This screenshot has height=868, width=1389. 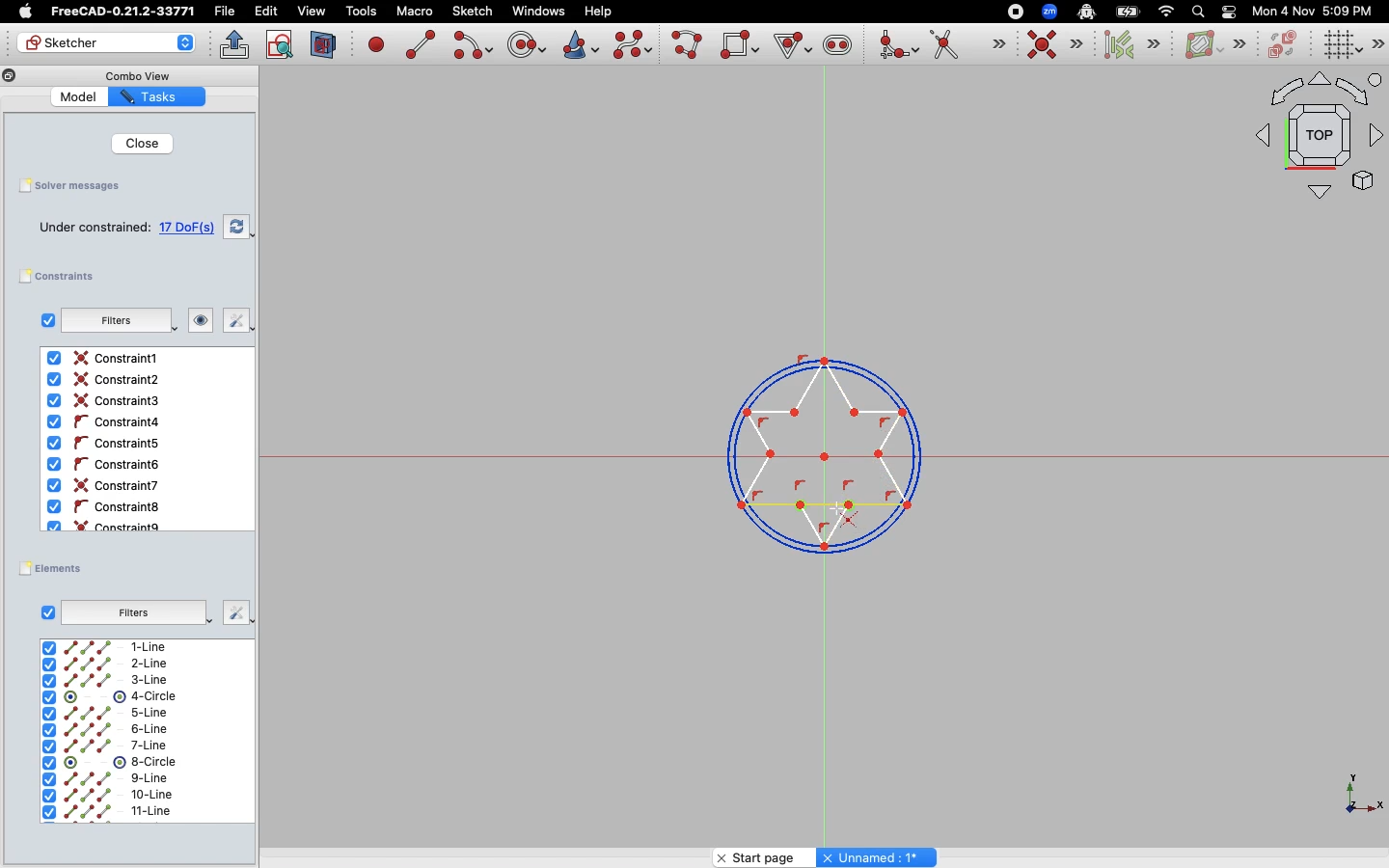 What do you see at coordinates (121, 762) in the screenshot?
I see `8-circle` at bounding box center [121, 762].